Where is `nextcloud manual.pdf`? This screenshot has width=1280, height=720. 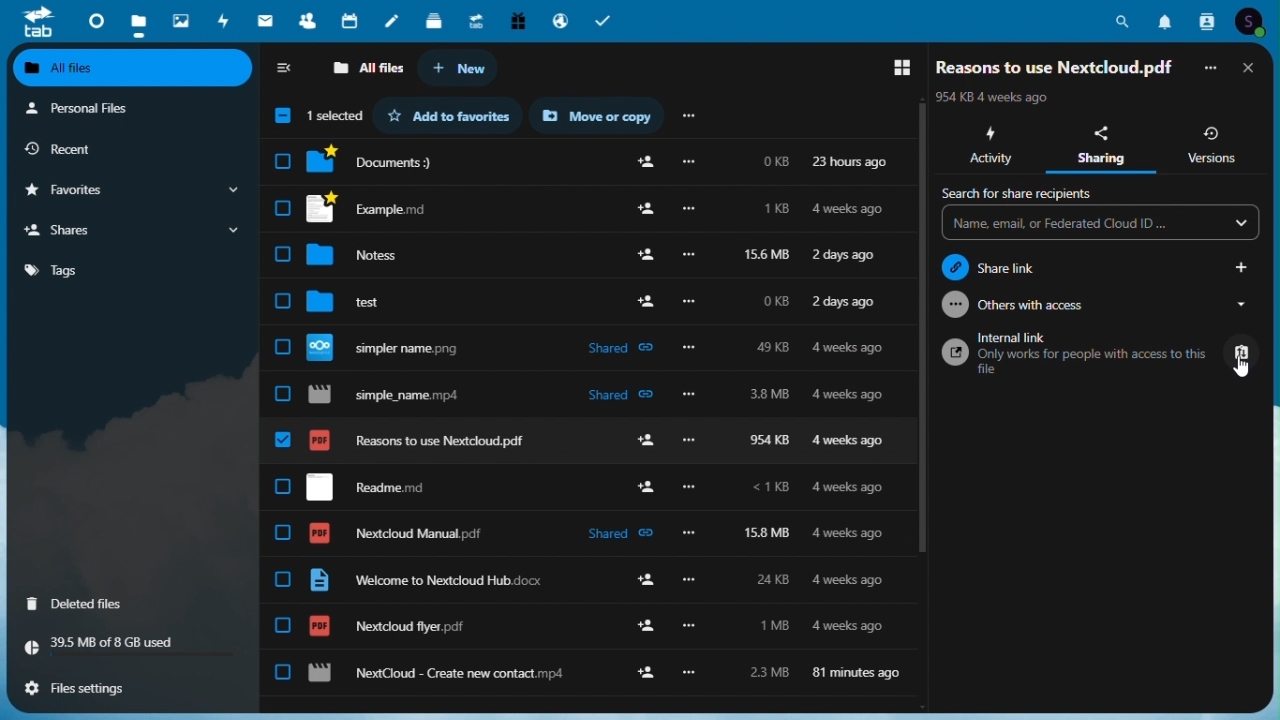 nextcloud manual.pdf is located at coordinates (399, 534).